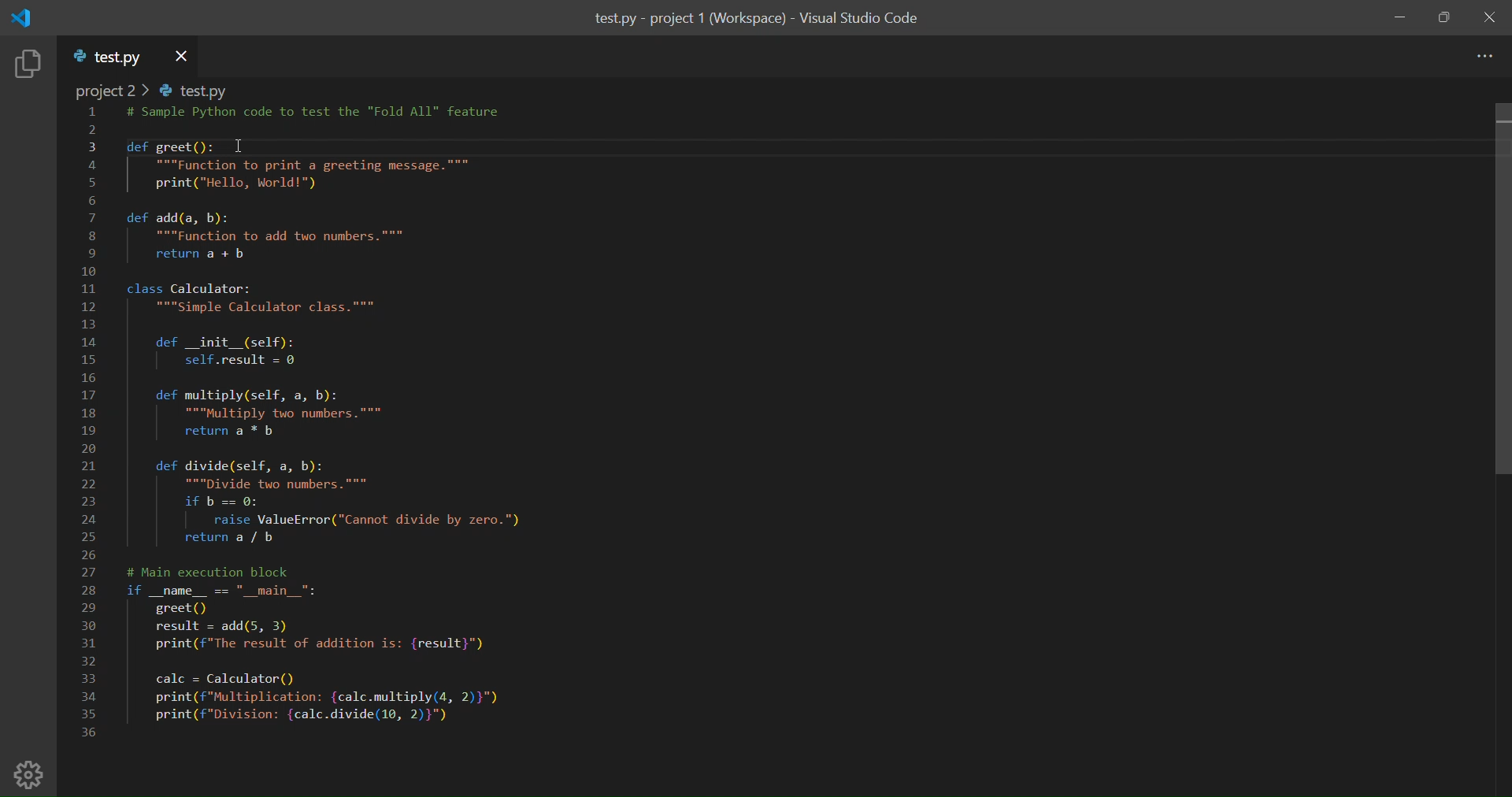  What do you see at coordinates (242, 146) in the screenshot?
I see `cursor` at bounding box center [242, 146].